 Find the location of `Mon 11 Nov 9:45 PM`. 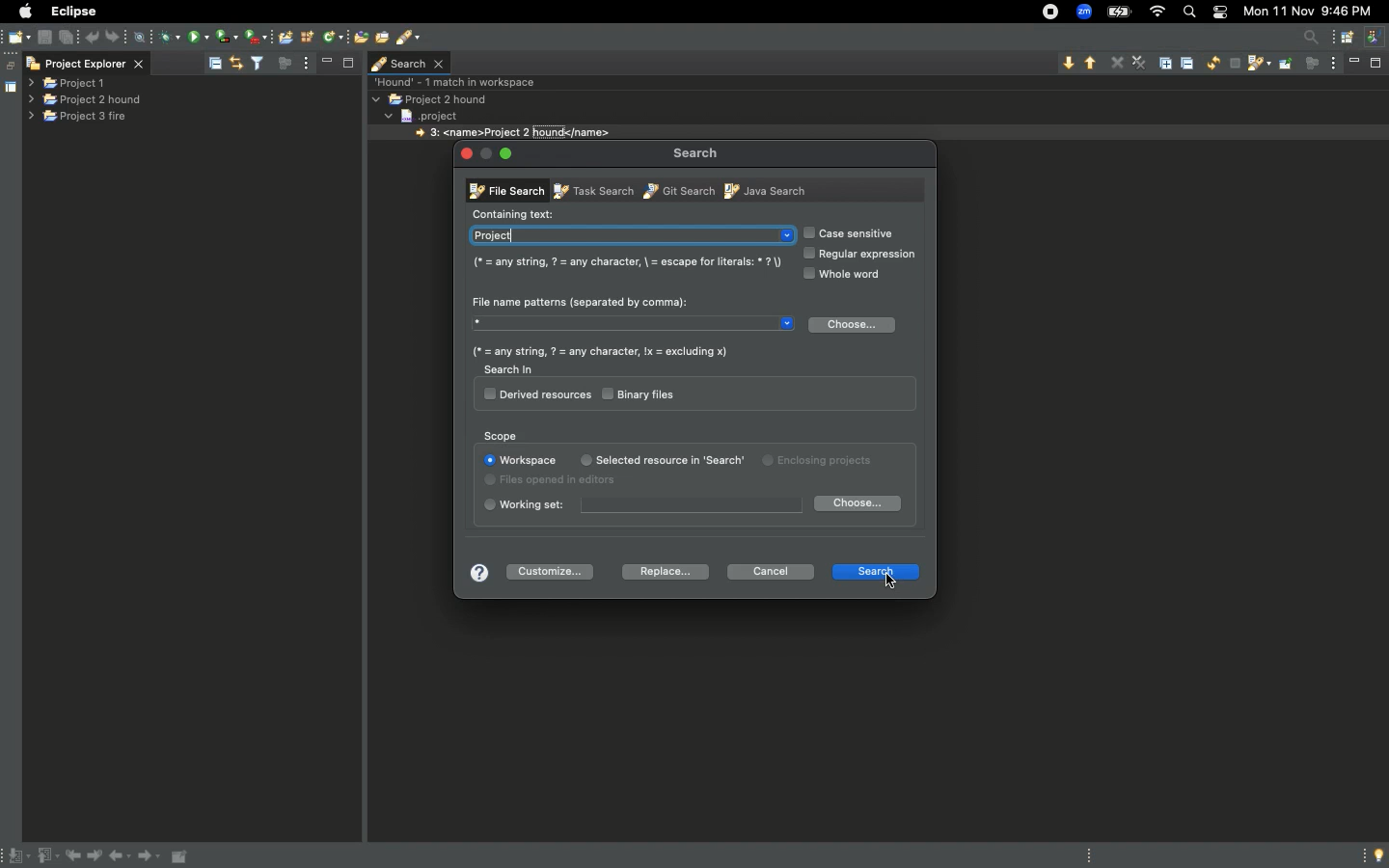

Mon 11 Nov 9:45 PM is located at coordinates (1314, 11).